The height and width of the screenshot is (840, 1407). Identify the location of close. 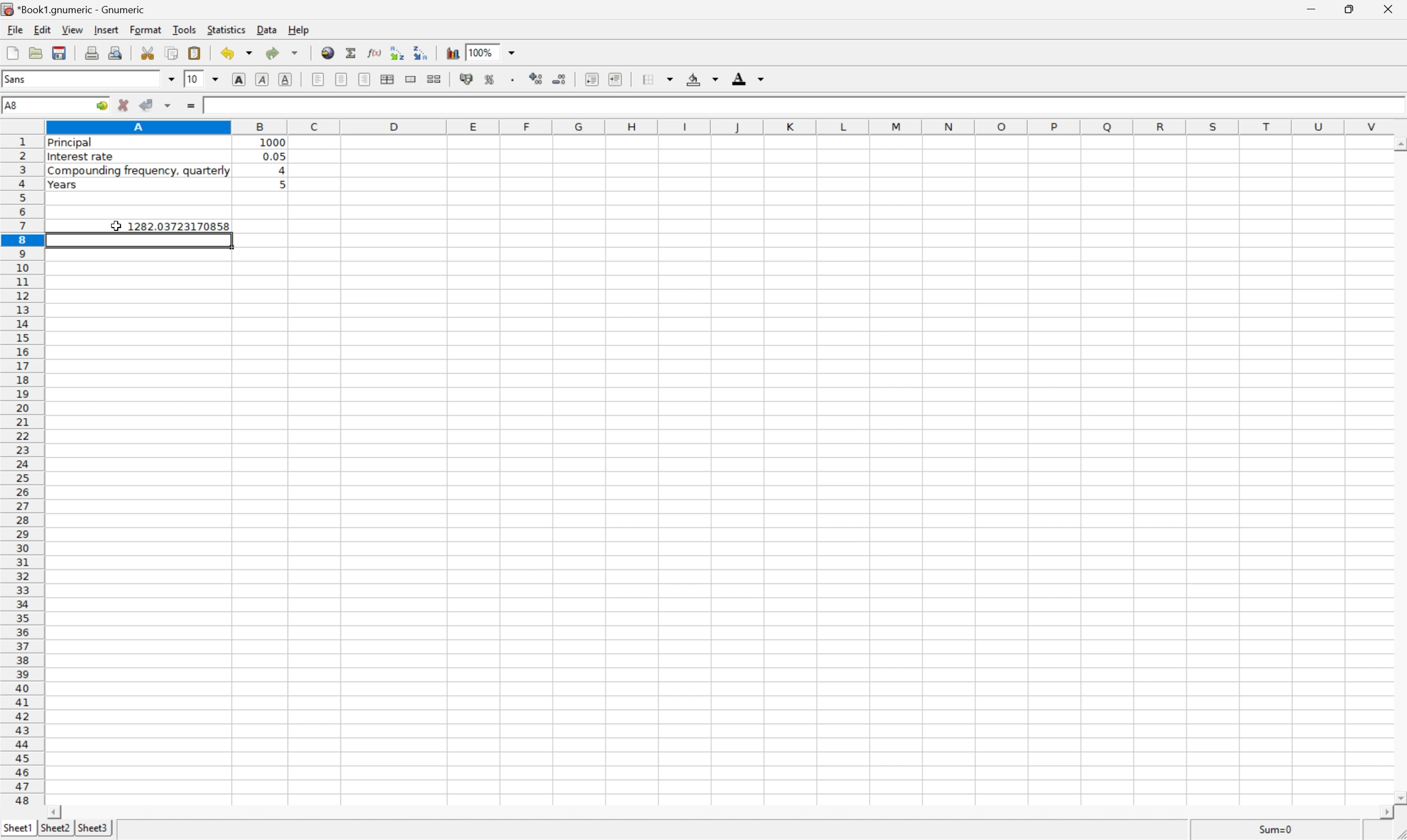
(1392, 9).